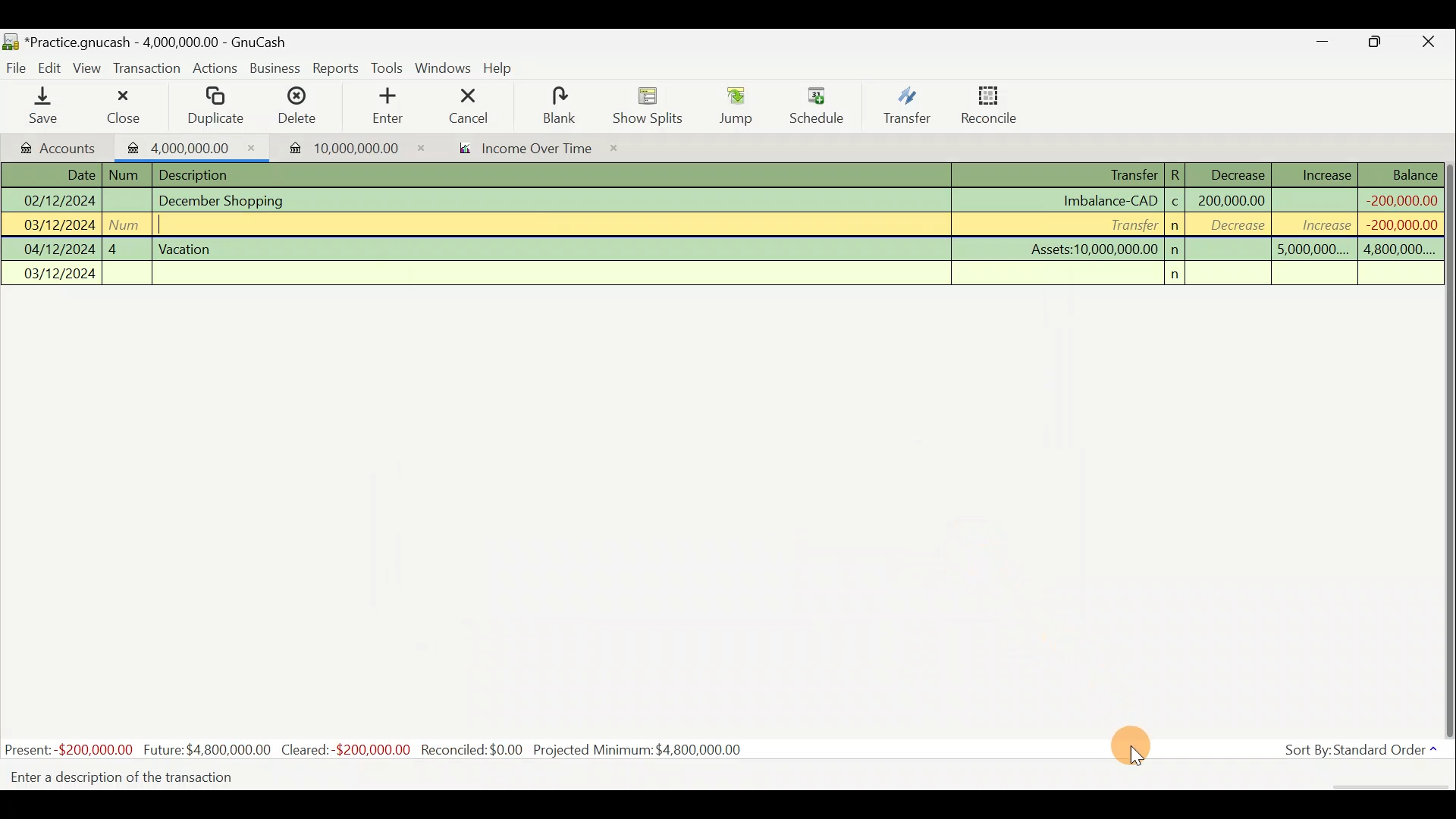 The image size is (1456, 819). Describe the element at coordinates (60, 227) in the screenshot. I see `03/12/2024` at that location.